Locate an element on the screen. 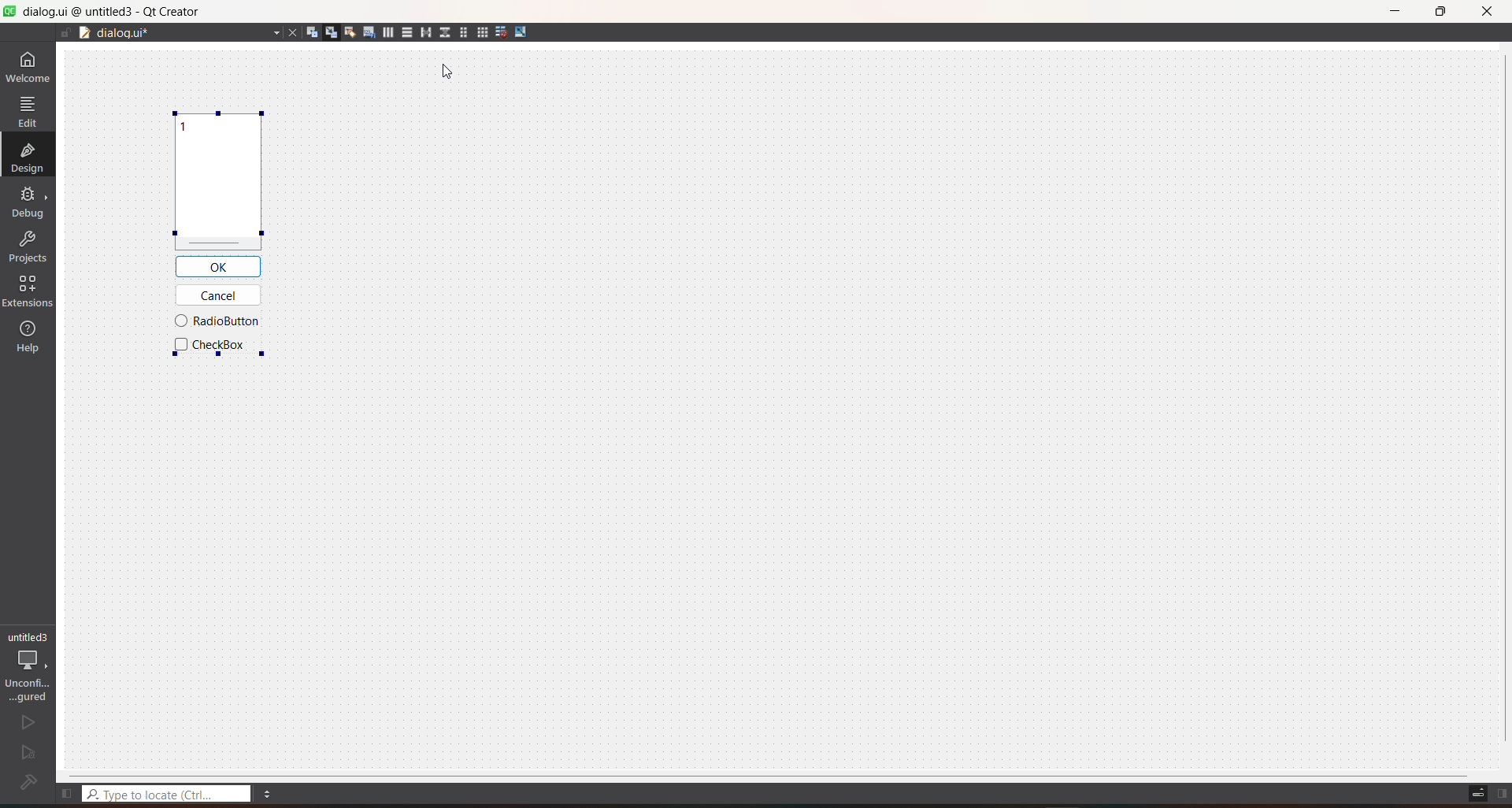 The image size is (1512, 808). design is located at coordinates (27, 156).